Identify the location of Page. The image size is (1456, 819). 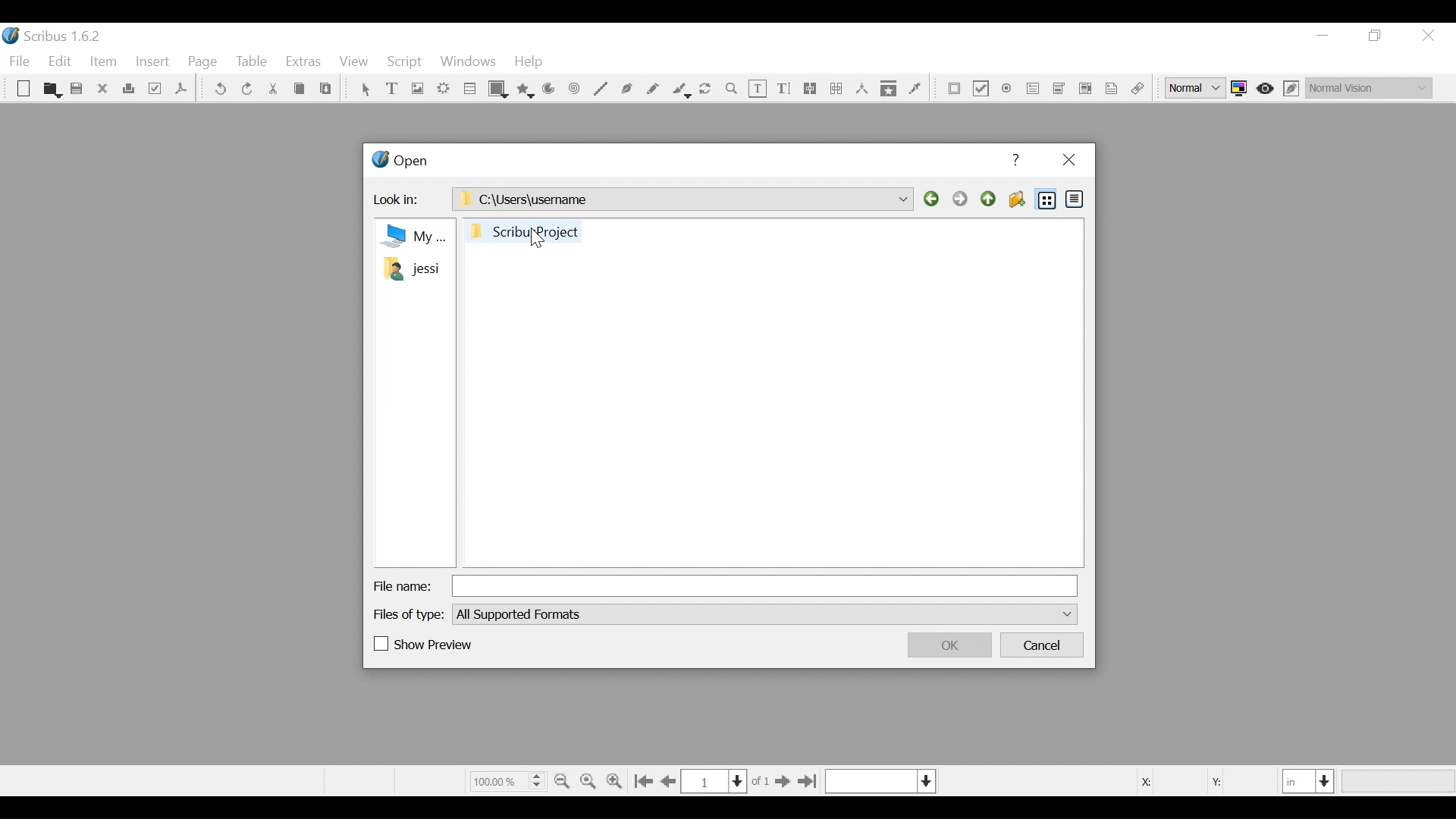
(203, 63).